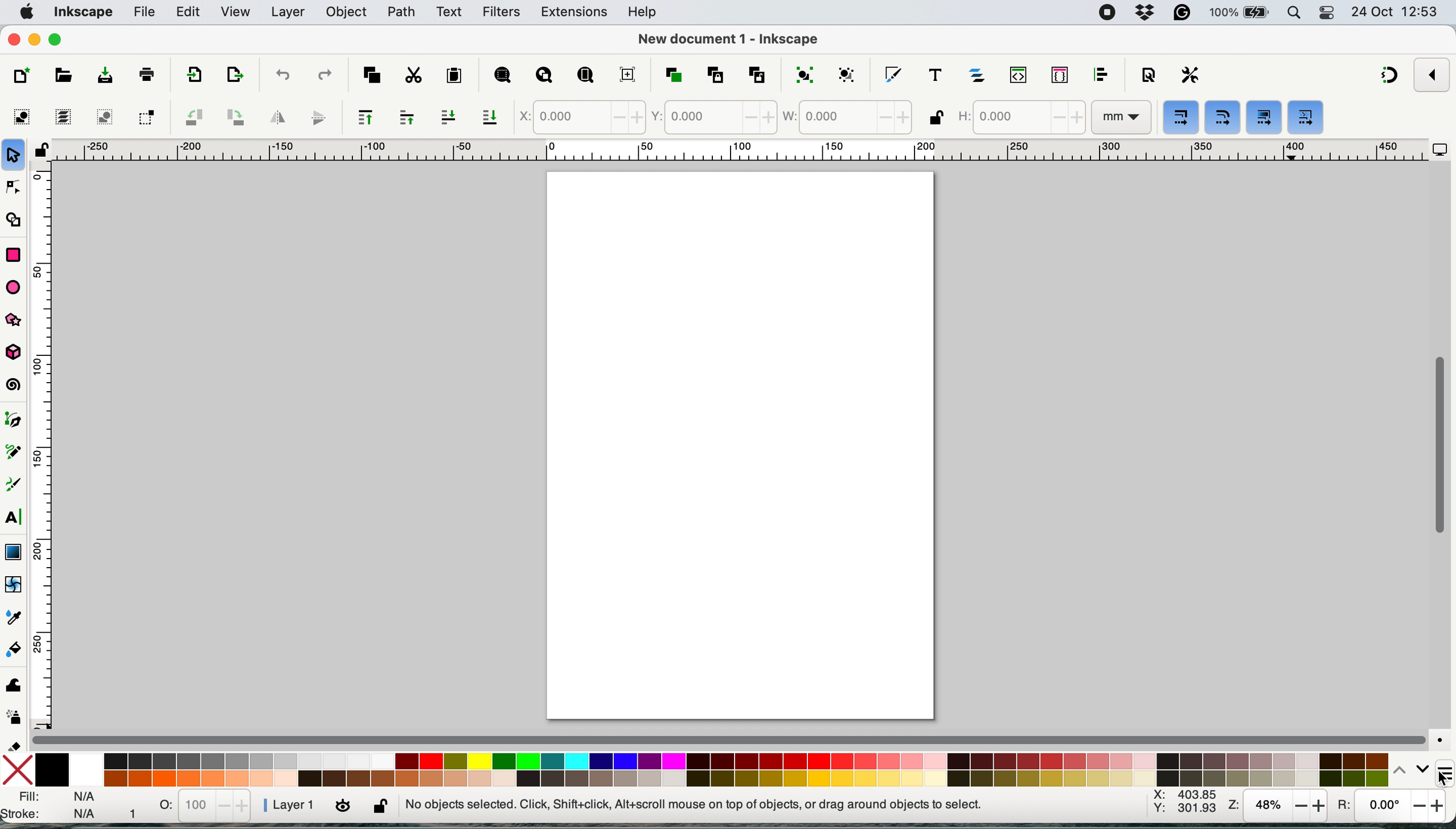 Image resolution: width=1456 pixels, height=829 pixels. What do you see at coordinates (104, 77) in the screenshot?
I see `save` at bounding box center [104, 77].